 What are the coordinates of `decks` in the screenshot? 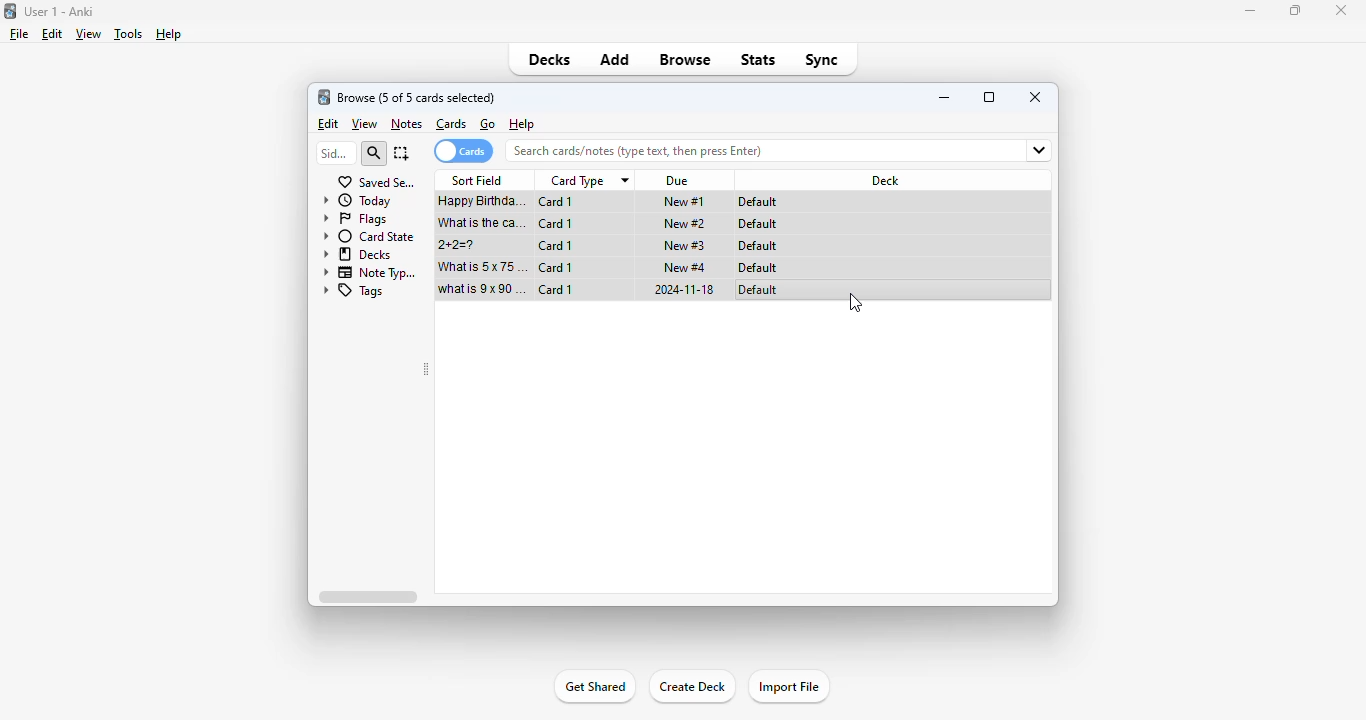 It's located at (358, 254).